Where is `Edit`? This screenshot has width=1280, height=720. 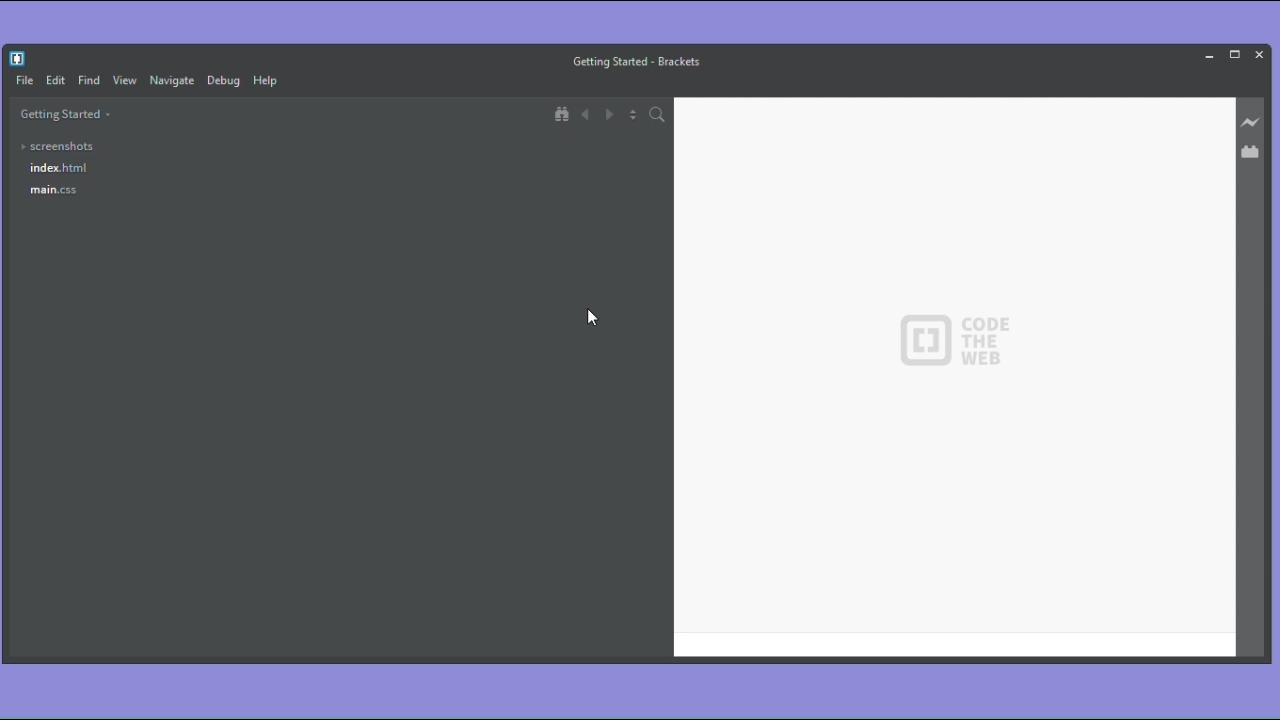
Edit is located at coordinates (55, 81).